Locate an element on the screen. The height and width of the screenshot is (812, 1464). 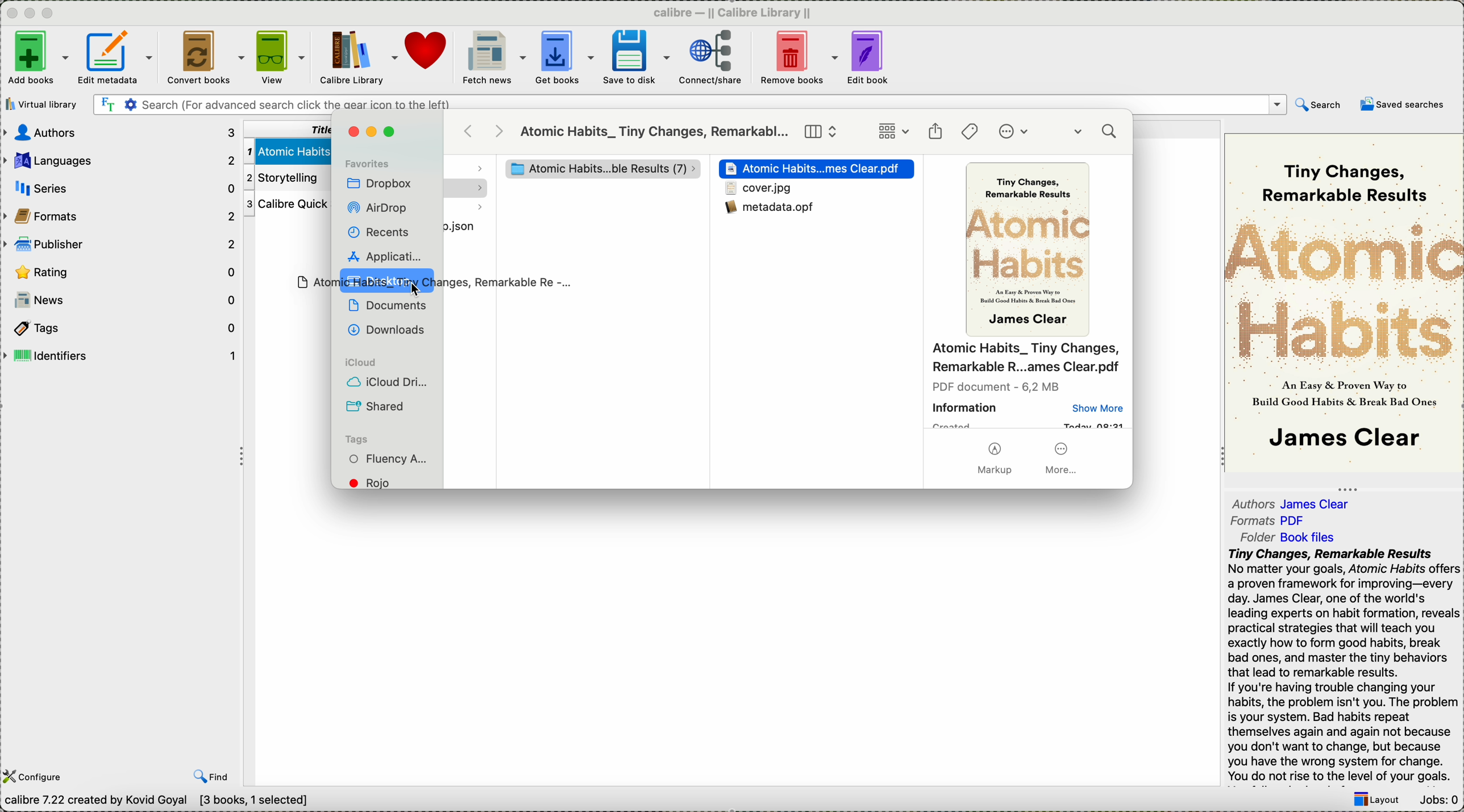
authors is located at coordinates (1294, 501).